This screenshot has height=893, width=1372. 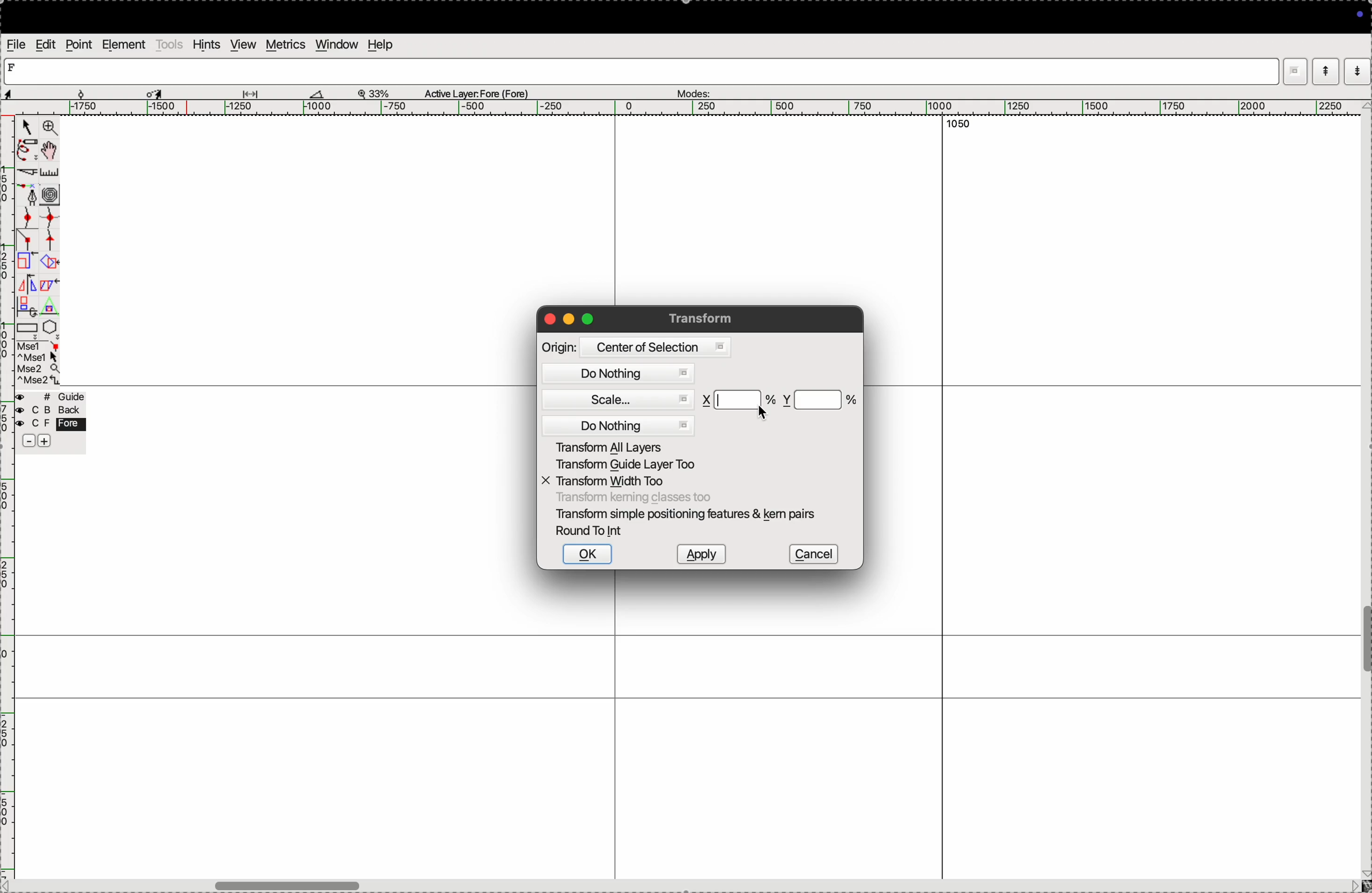 I want to click on ok, so click(x=587, y=554).